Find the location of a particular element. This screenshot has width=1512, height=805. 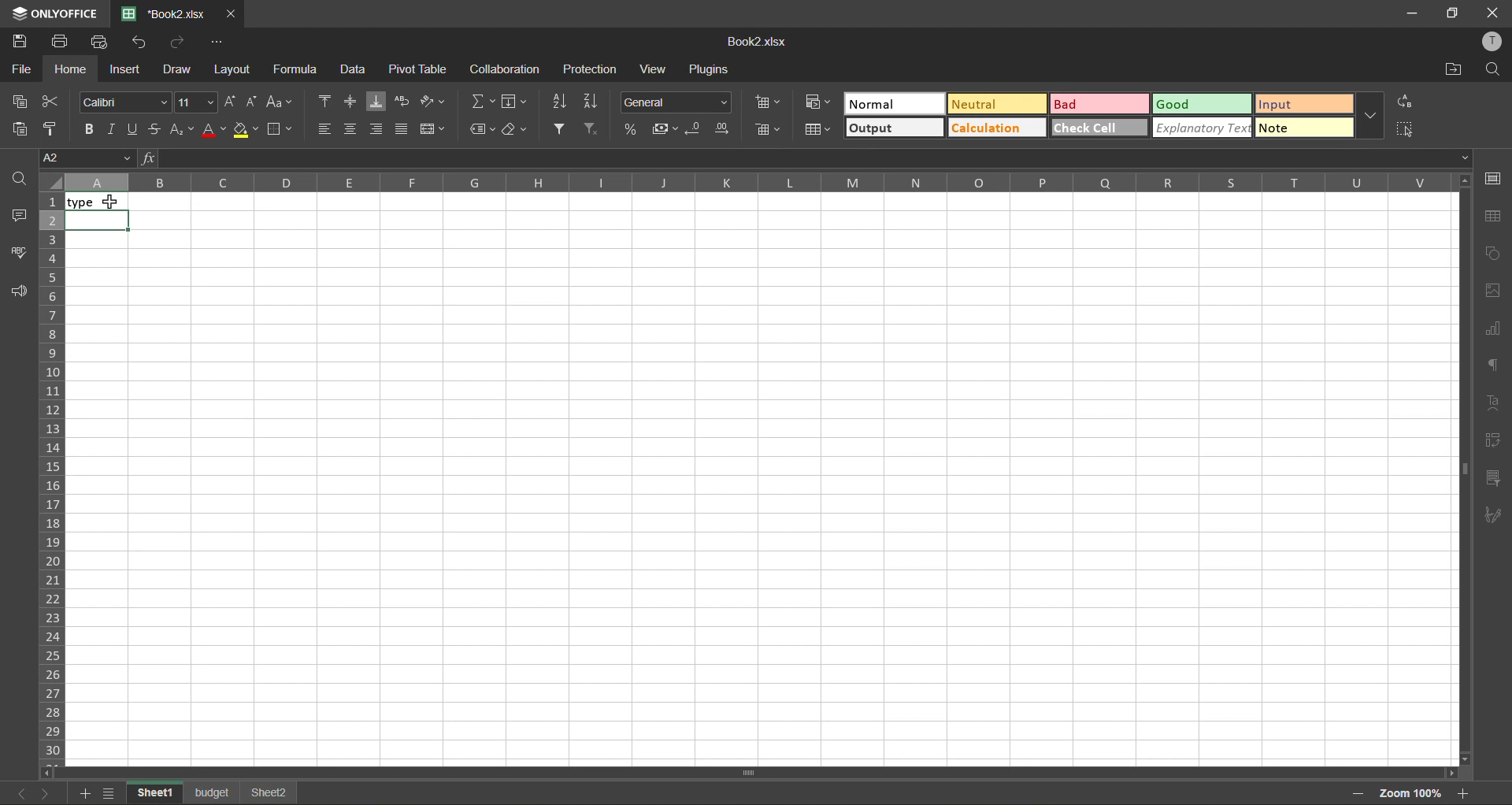

Book2.xlsx is located at coordinates (156, 11).